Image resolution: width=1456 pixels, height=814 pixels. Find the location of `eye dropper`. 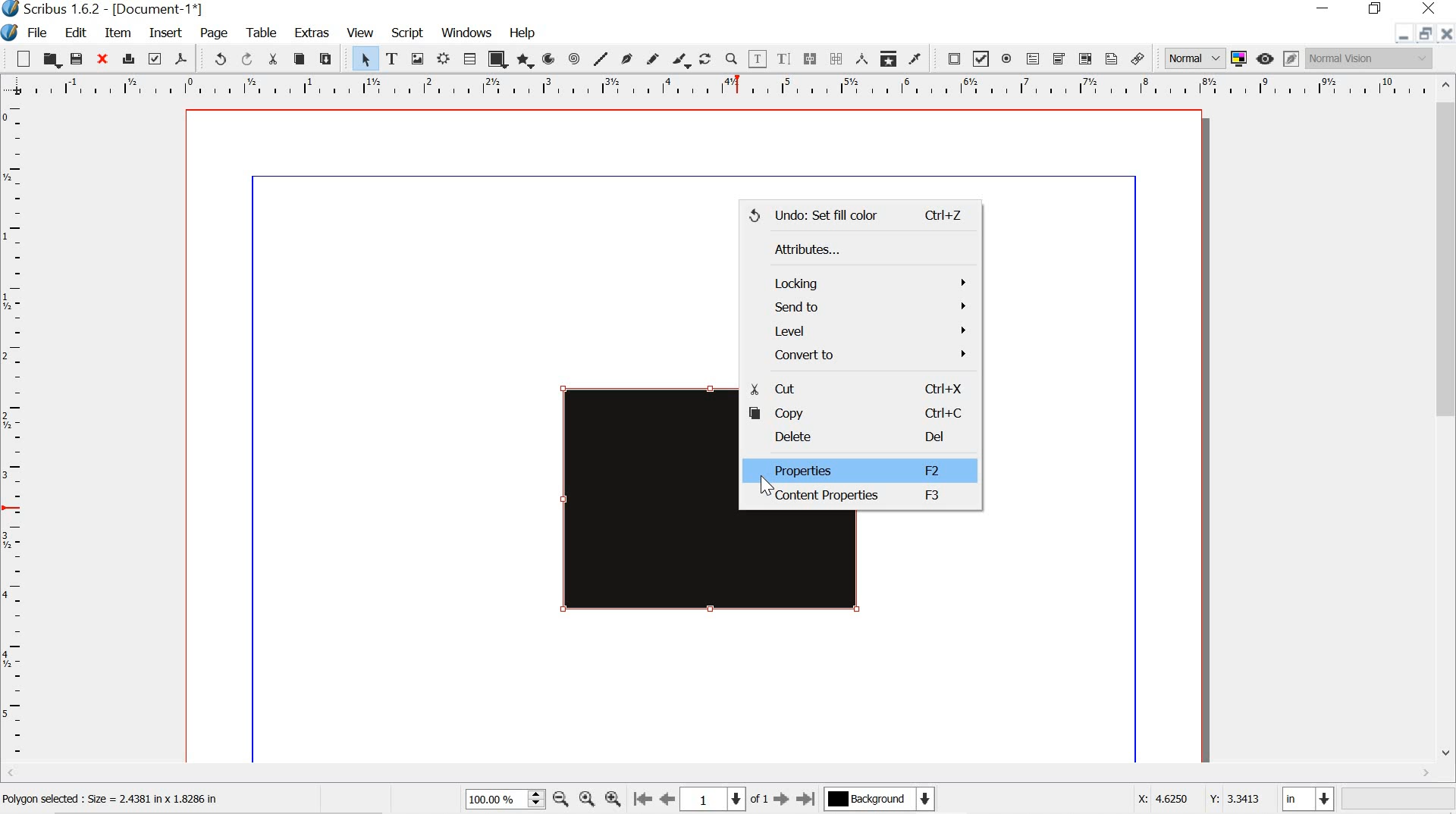

eye dropper is located at coordinates (915, 58).